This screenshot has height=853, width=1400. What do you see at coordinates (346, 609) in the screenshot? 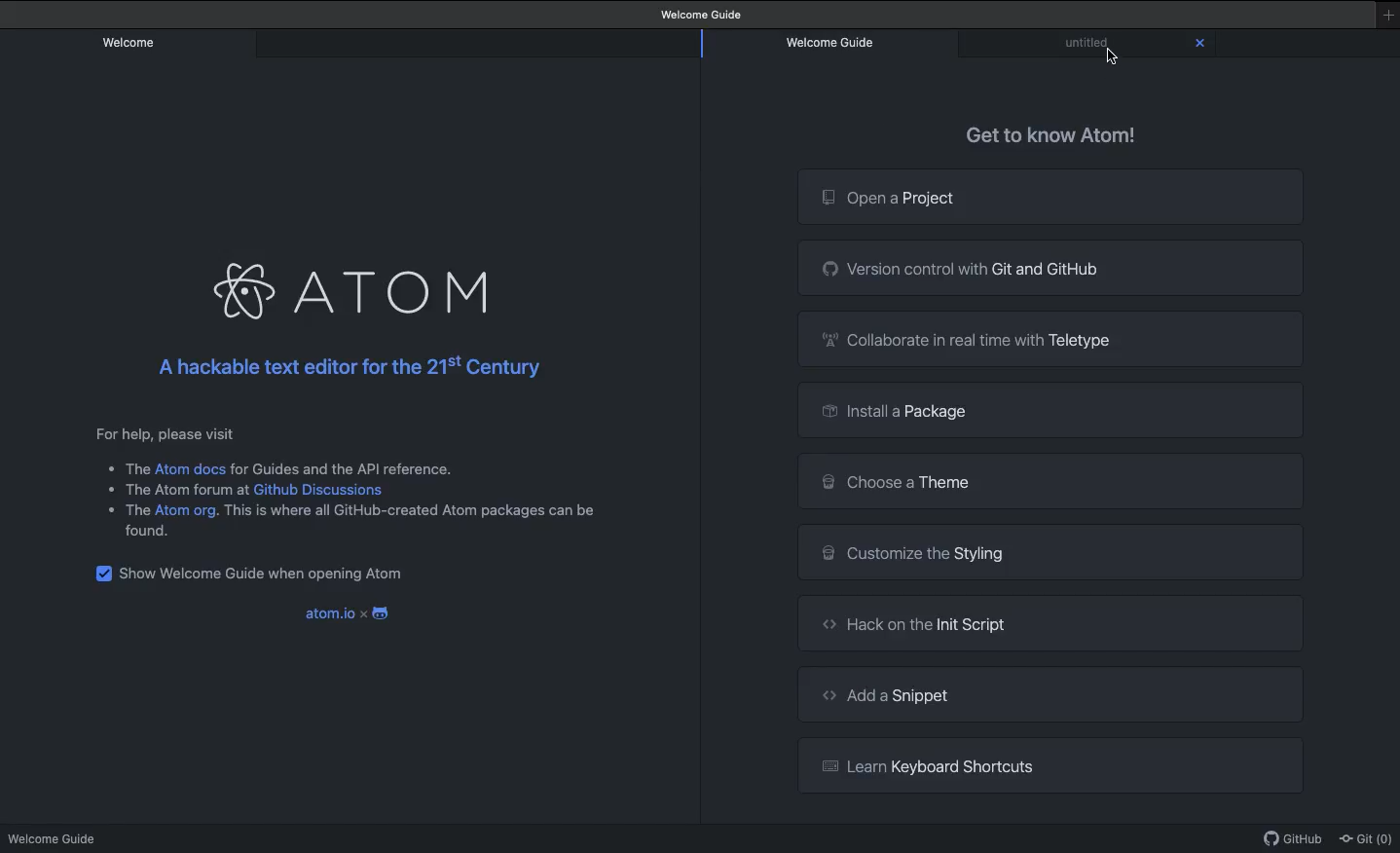
I see `Atom.io x android ` at bounding box center [346, 609].